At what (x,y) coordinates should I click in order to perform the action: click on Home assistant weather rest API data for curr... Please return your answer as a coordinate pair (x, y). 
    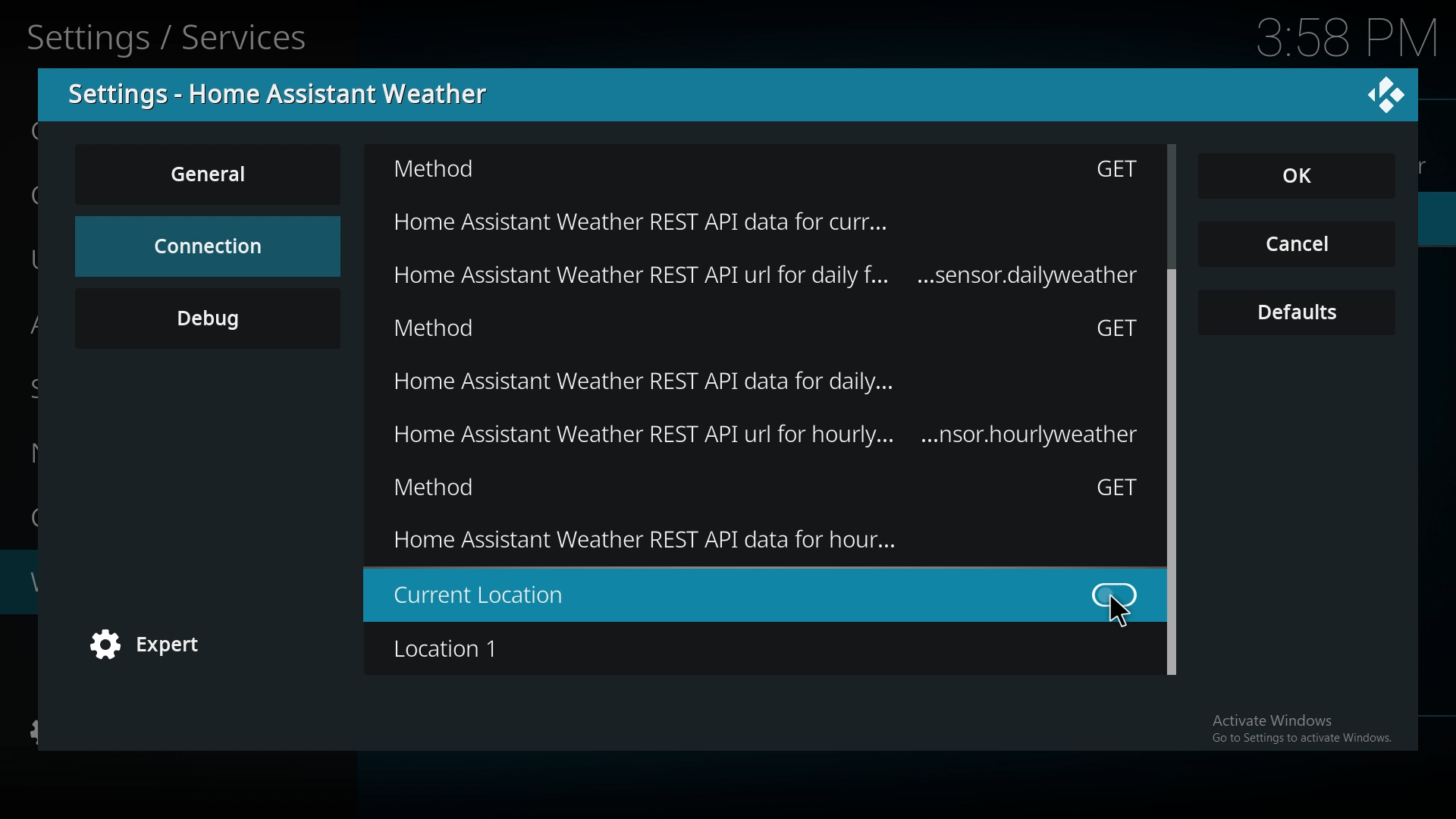
    Looking at the image, I should click on (744, 219).